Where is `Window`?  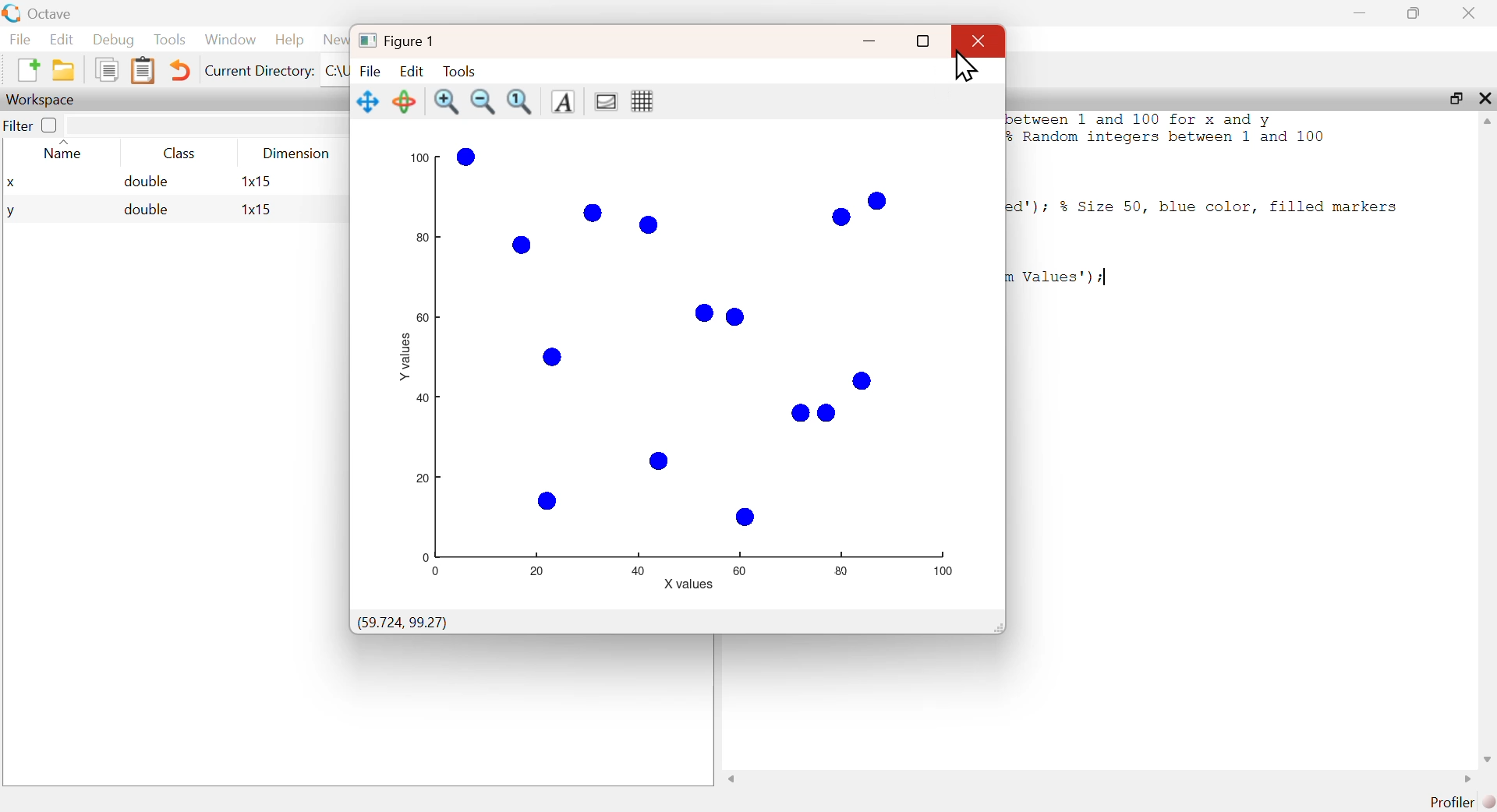
Window is located at coordinates (231, 40).